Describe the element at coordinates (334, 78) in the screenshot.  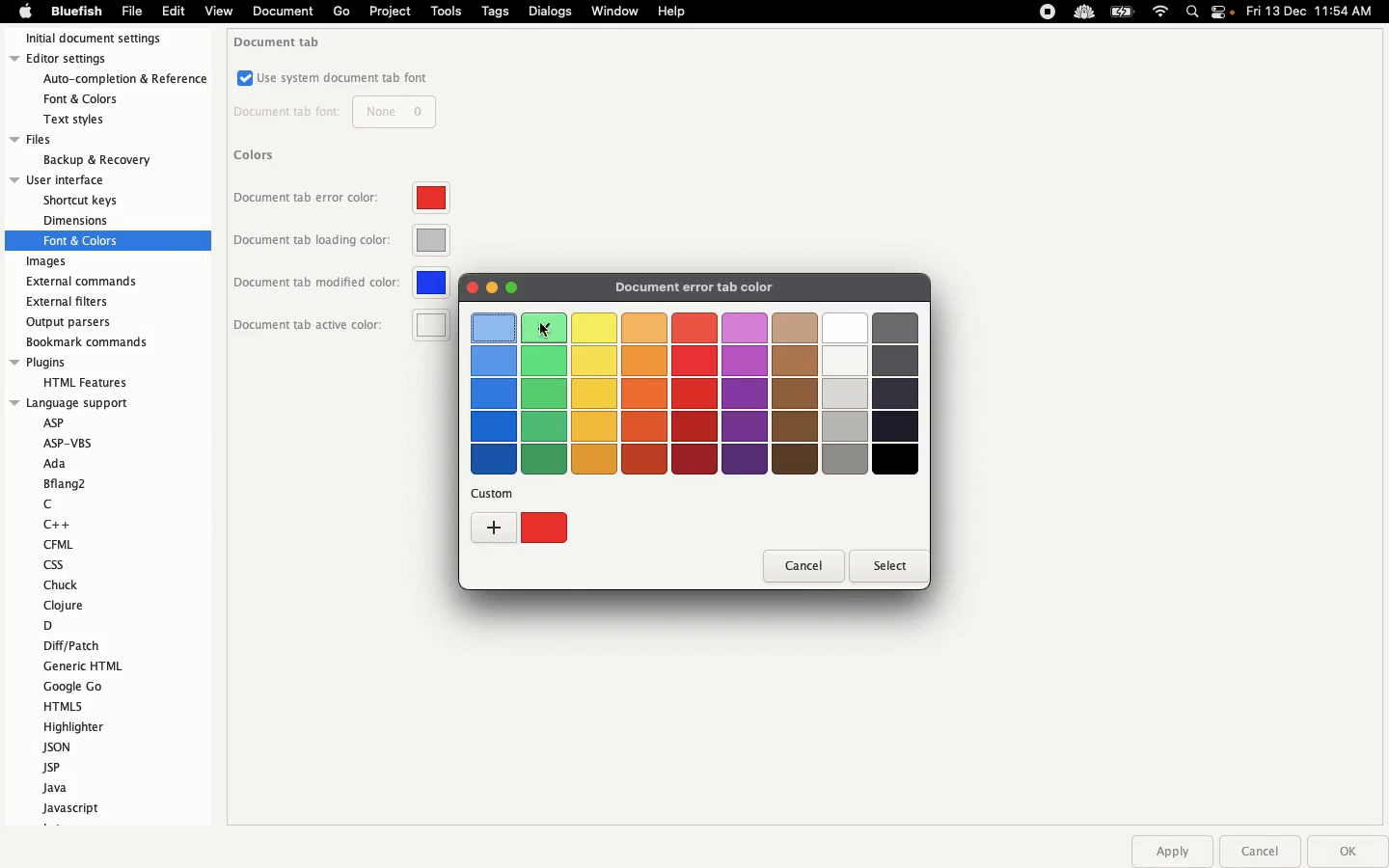
I see `Use system document tab font` at that location.